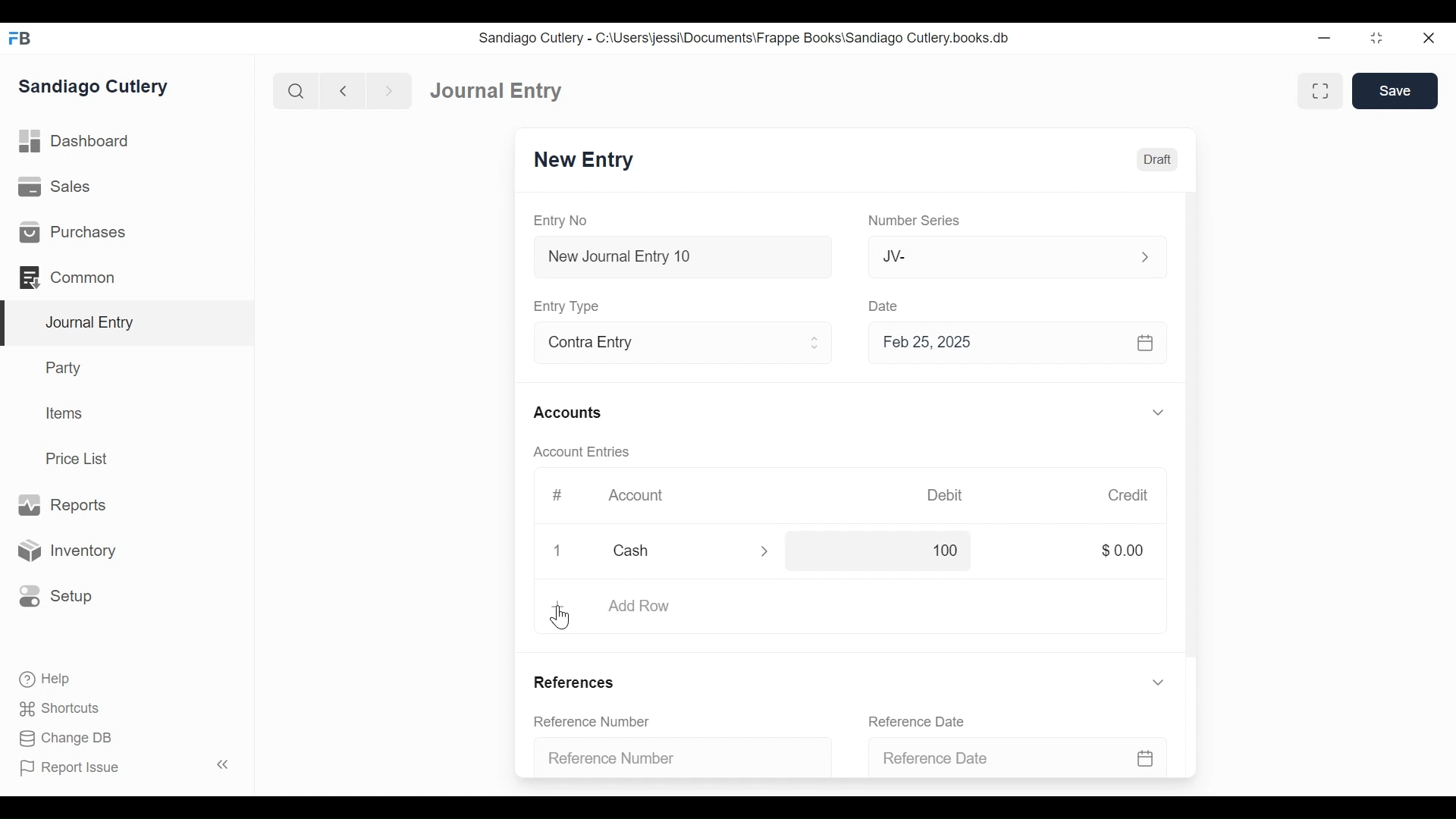 Image resolution: width=1456 pixels, height=819 pixels. Describe the element at coordinates (1326, 39) in the screenshot. I see `Minimize` at that location.